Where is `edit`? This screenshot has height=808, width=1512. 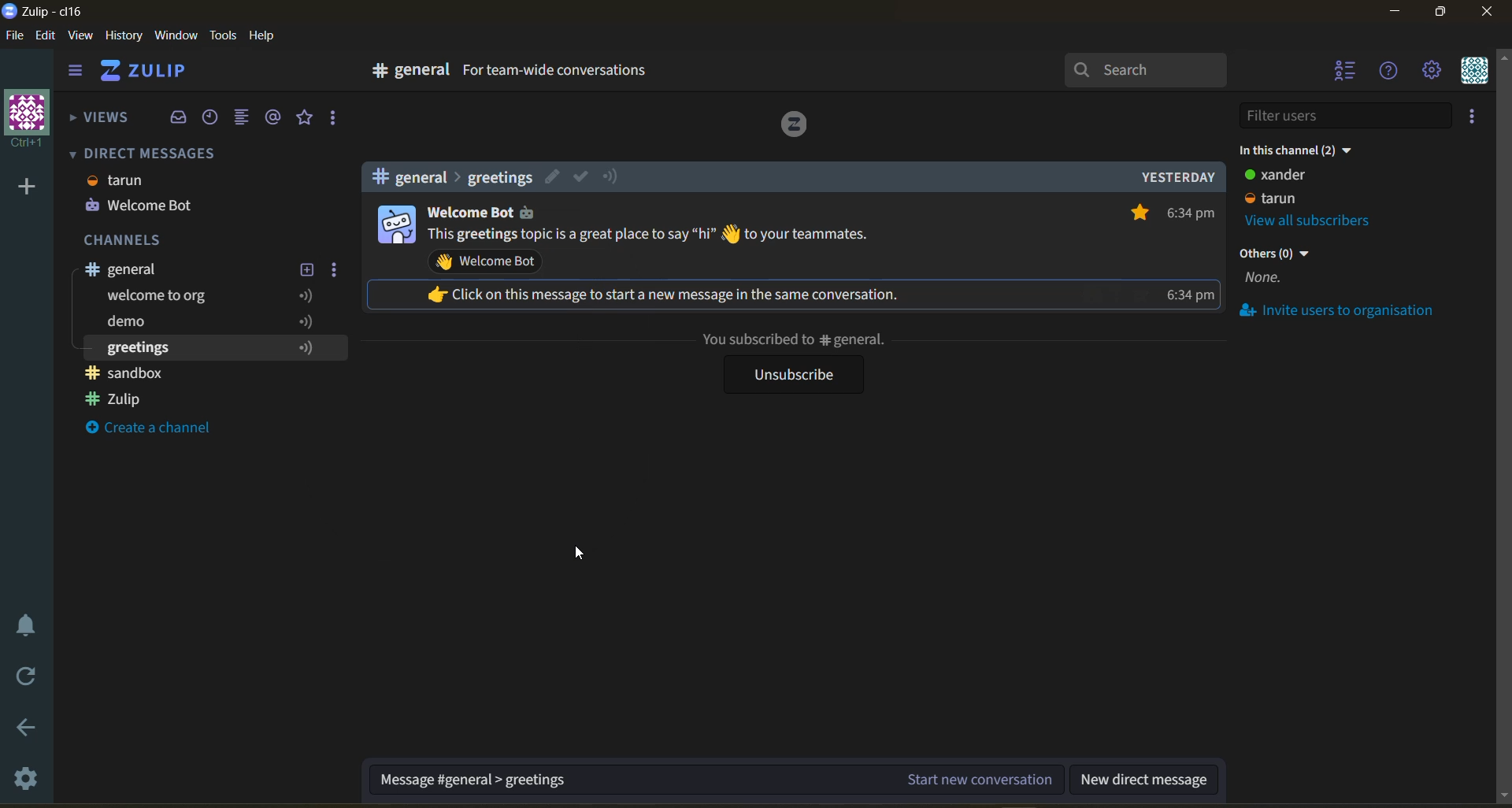 edit is located at coordinates (554, 176).